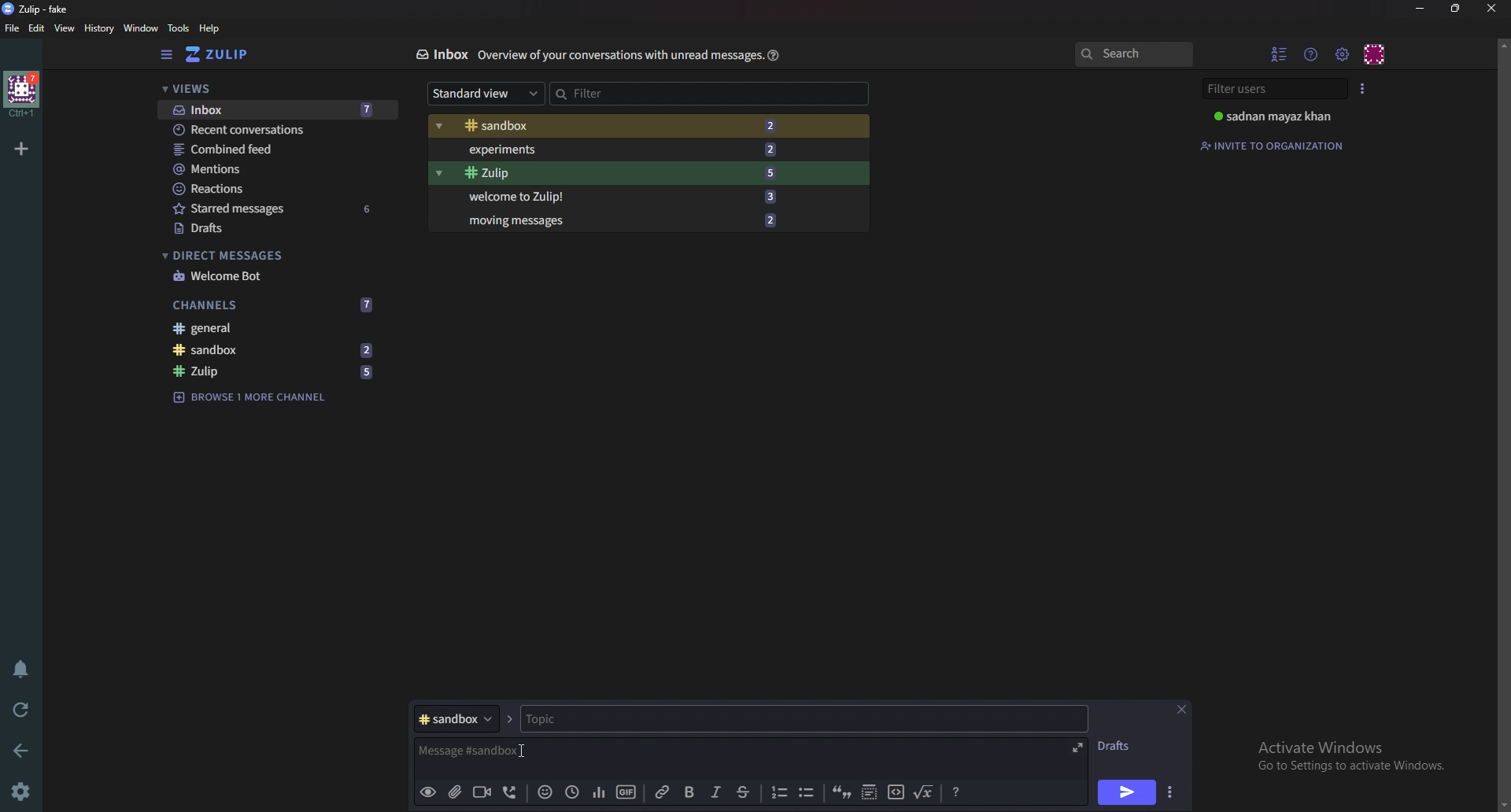 The width and height of the screenshot is (1511, 812). Describe the element at coordinates (806, 793) in the screenshot. I see `Bullet list` at that location.